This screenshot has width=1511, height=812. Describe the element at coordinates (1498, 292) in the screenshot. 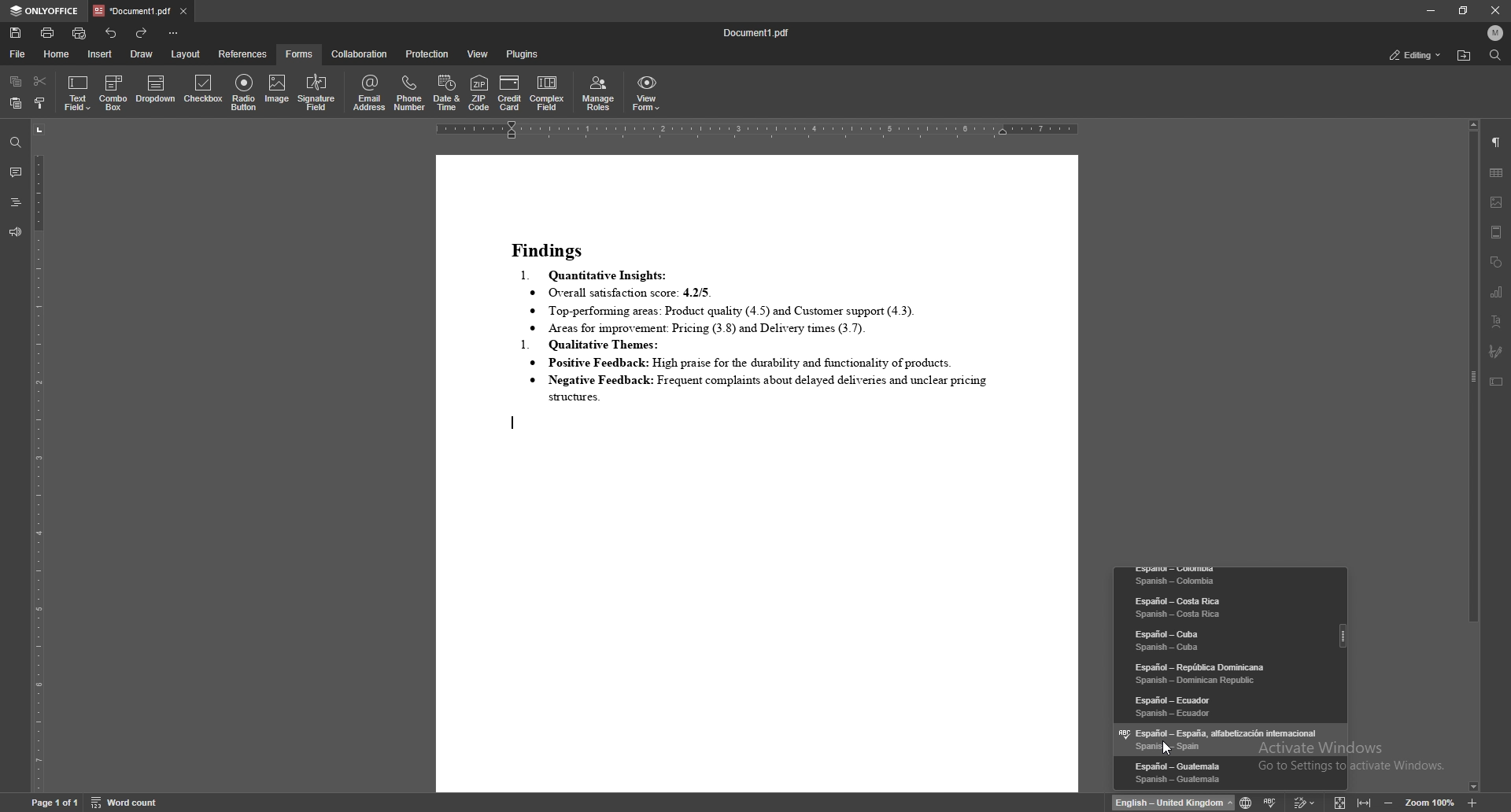

I see `chart` at that location.